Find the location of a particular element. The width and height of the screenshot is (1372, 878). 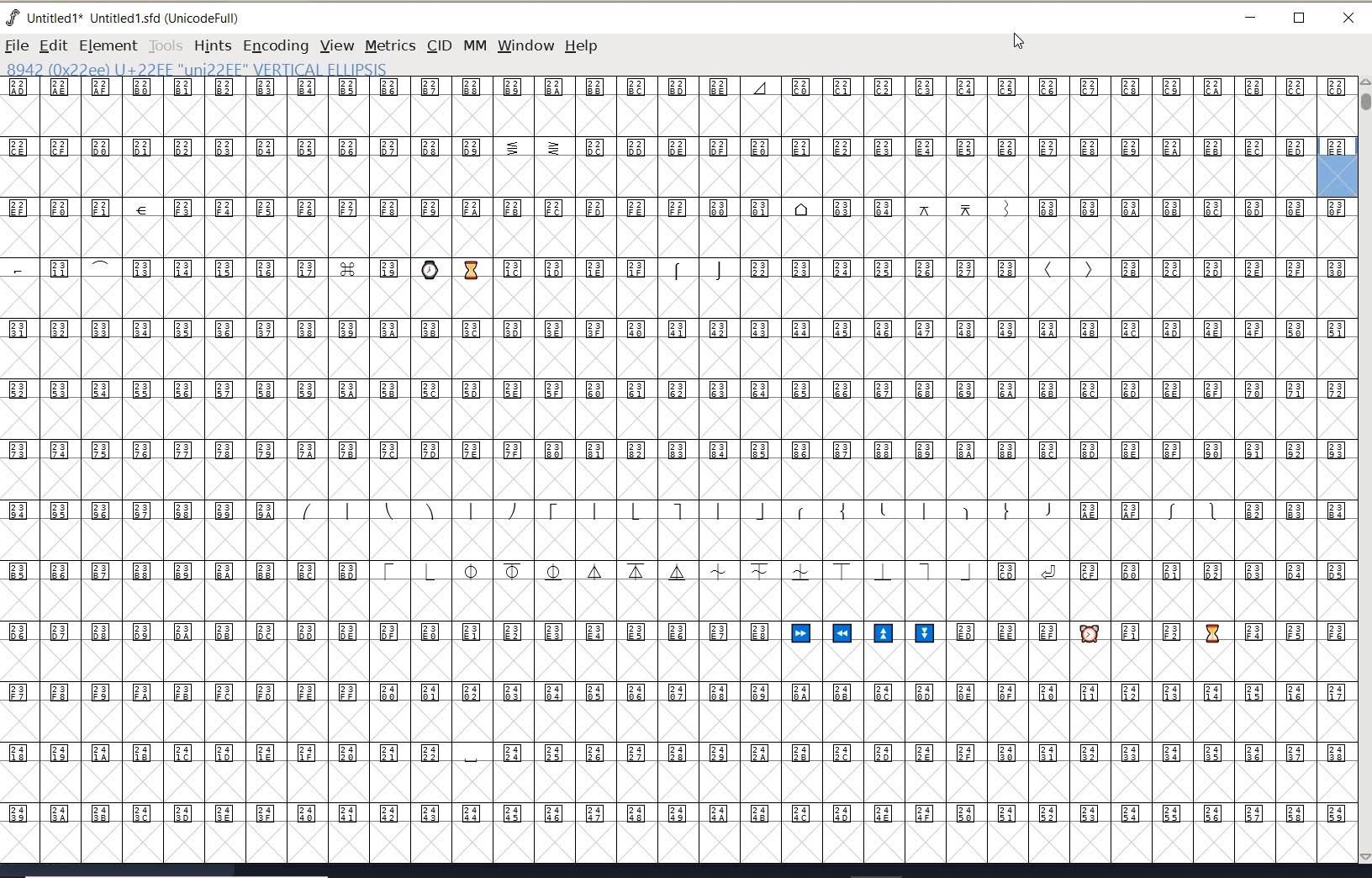

window is located at coordinates (525, 45).